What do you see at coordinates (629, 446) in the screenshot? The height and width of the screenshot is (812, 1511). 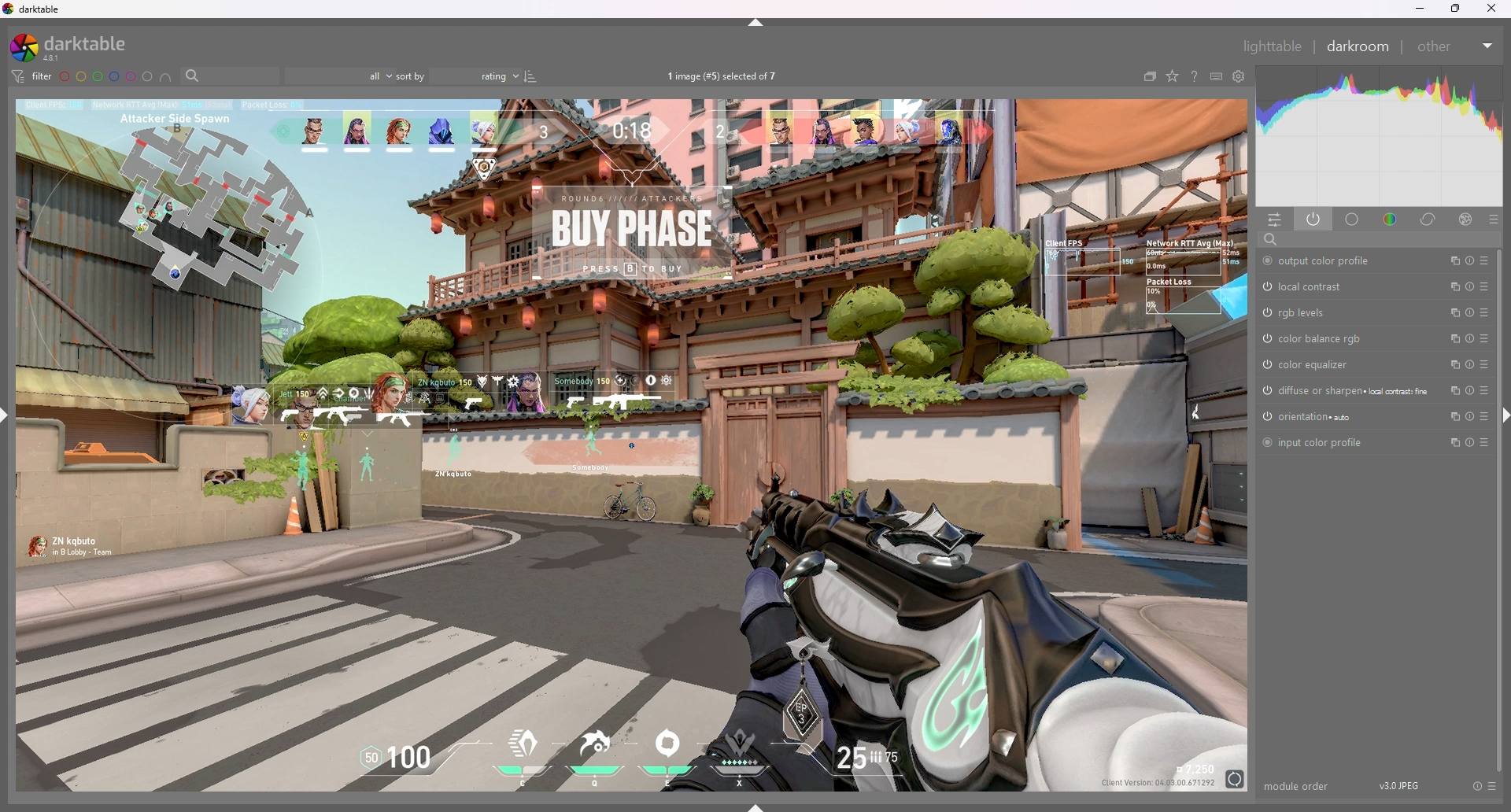 I see `photo` at bounding box center [629, 446].